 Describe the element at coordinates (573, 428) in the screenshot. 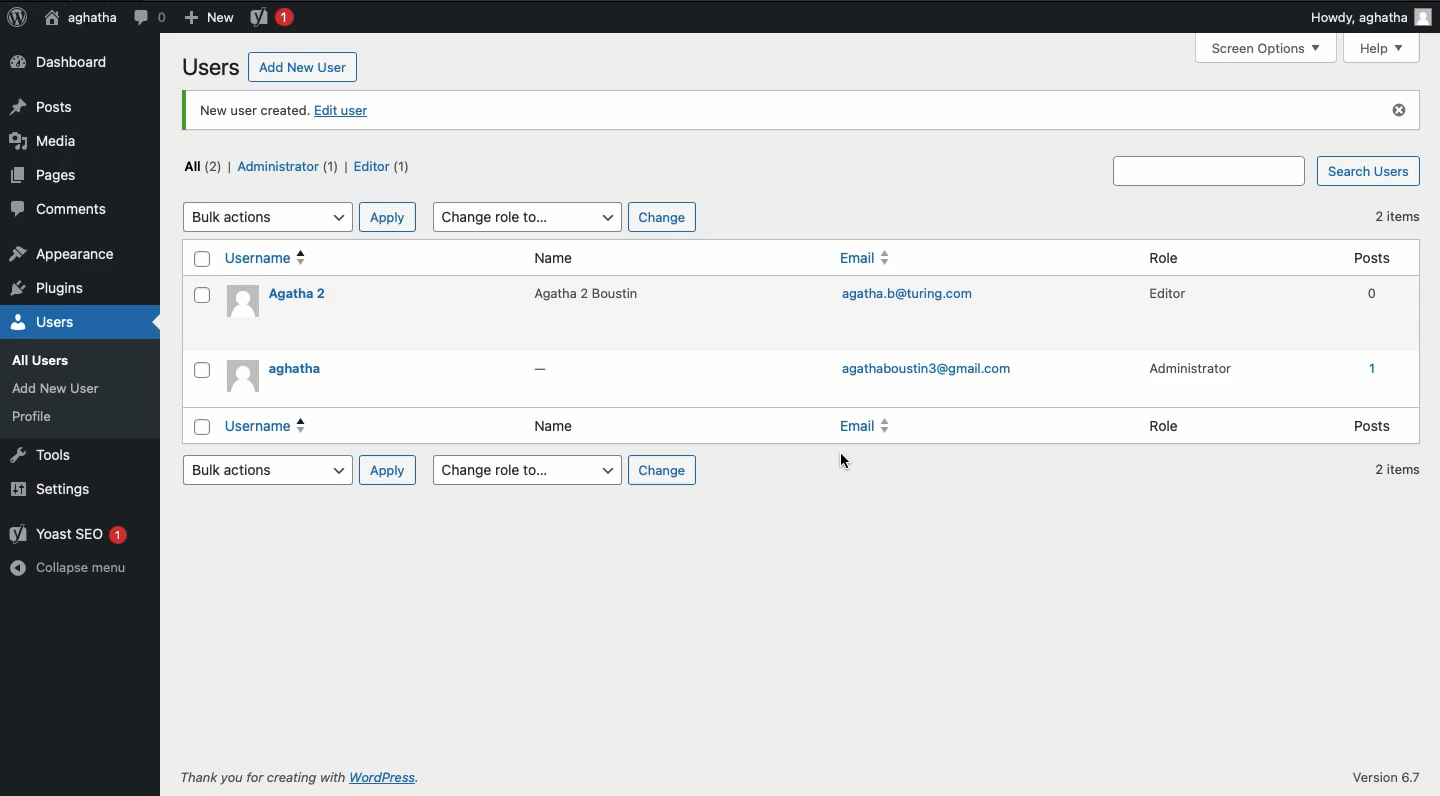

I see `Name` at that location.